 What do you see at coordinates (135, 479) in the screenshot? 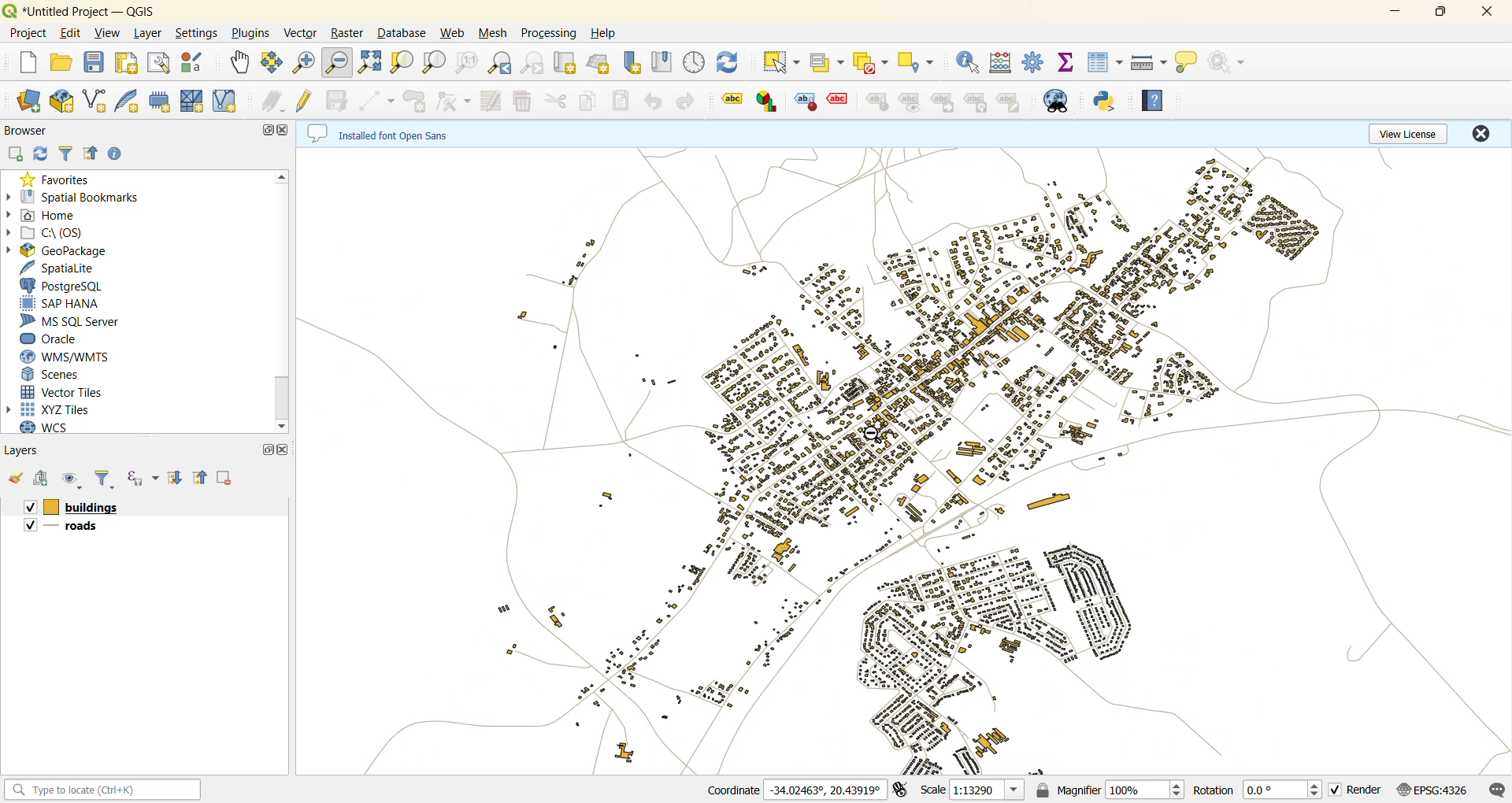
I see `filter by expression` at bounding box center [135, 479].